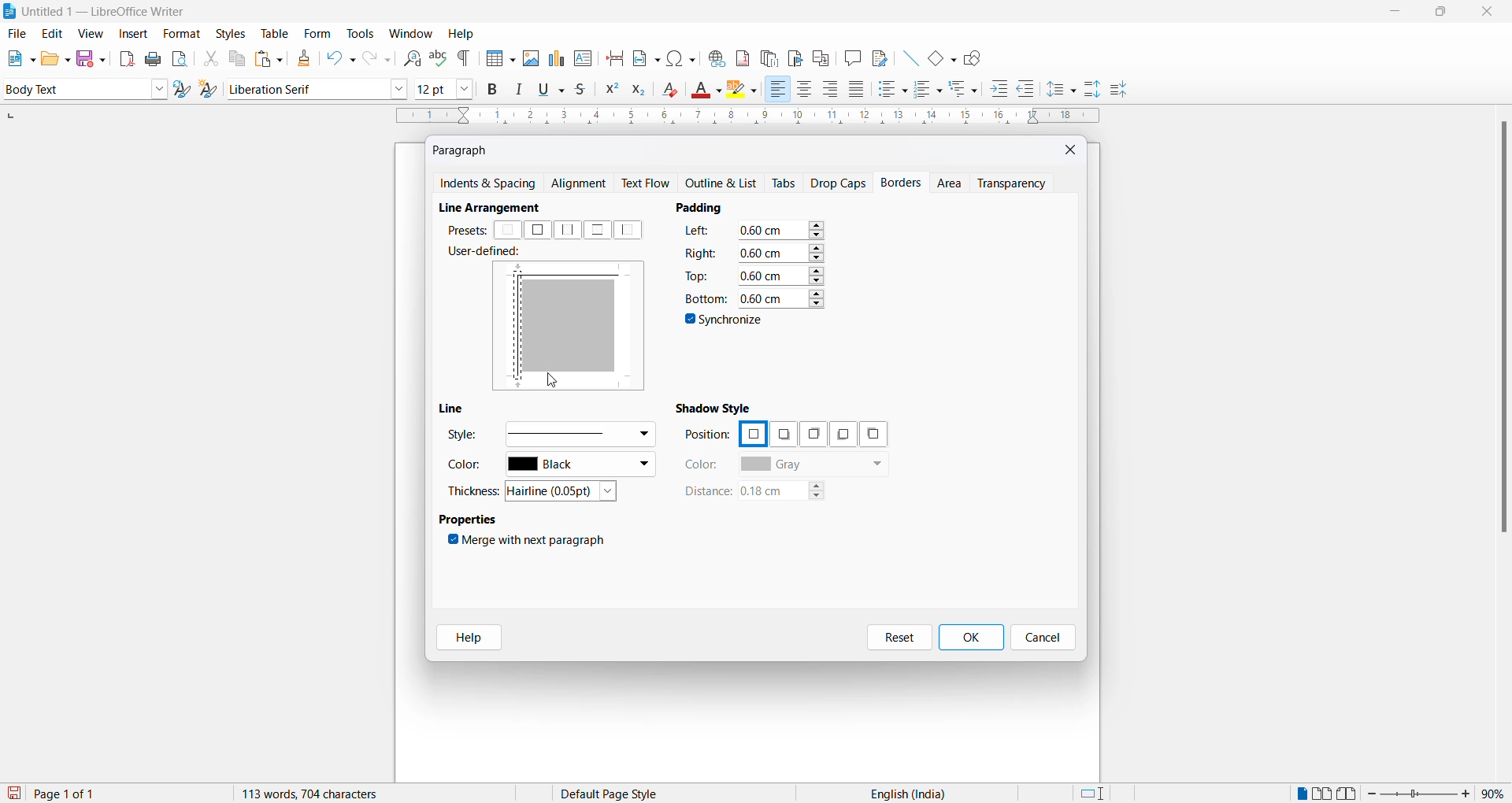 This screenshot has width=1512, height=803. I want to click on window, so click(412, 34).